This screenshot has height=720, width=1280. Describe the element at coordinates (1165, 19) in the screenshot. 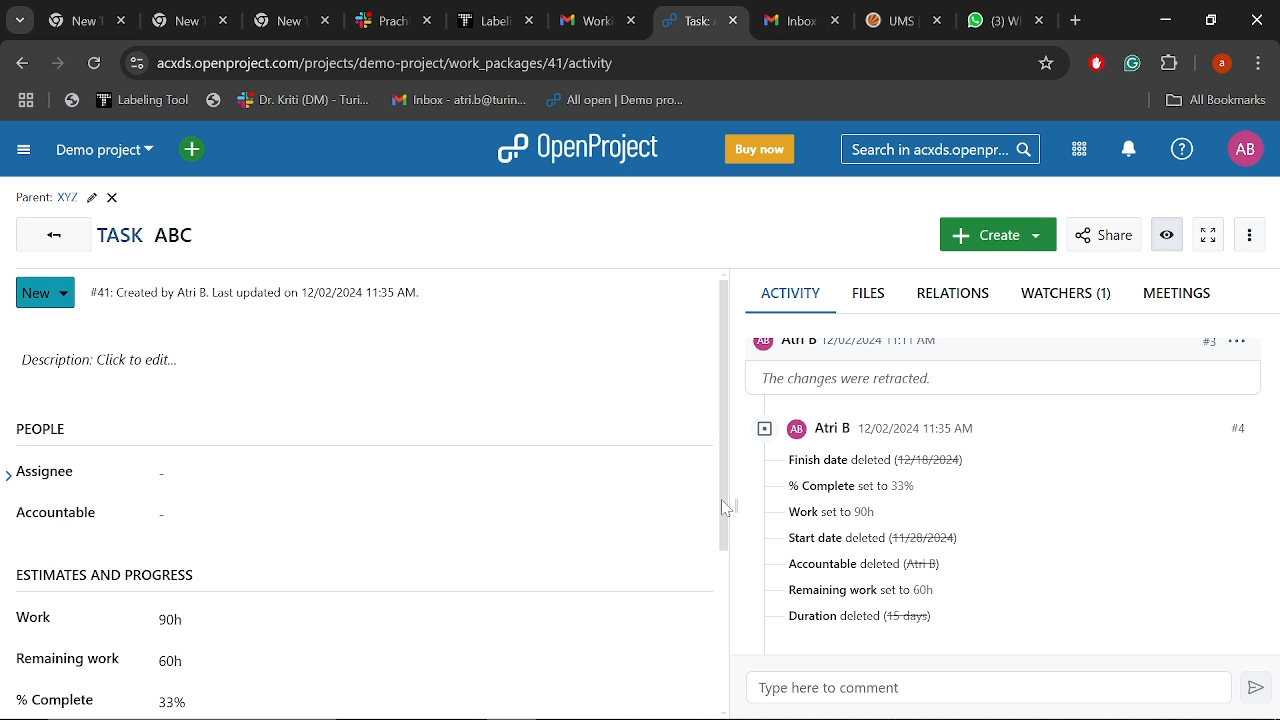

I see `Minimize` at that location.